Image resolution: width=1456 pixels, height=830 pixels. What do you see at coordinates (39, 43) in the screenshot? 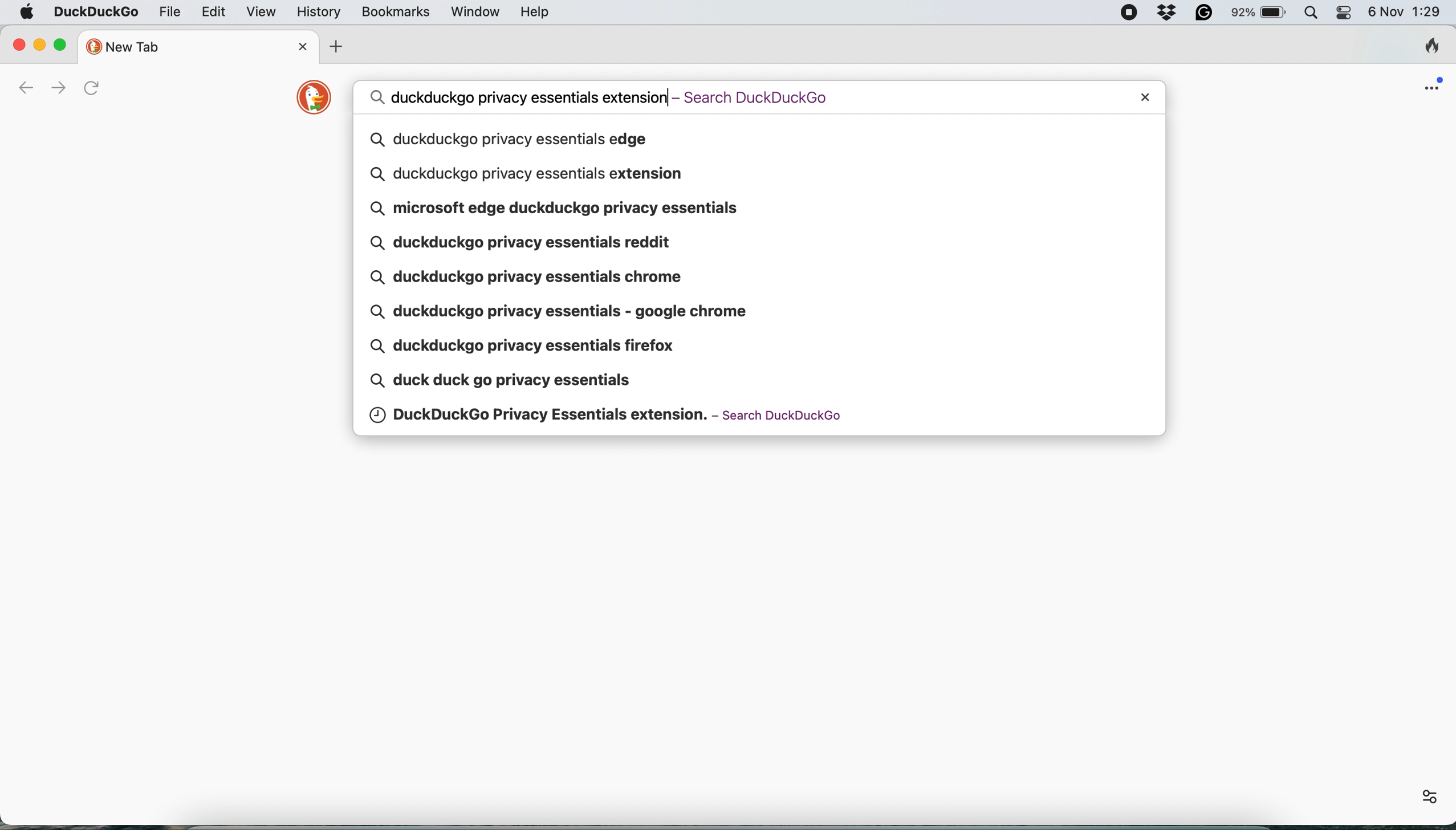
I see `minimise` at bounding box center [39, 43].